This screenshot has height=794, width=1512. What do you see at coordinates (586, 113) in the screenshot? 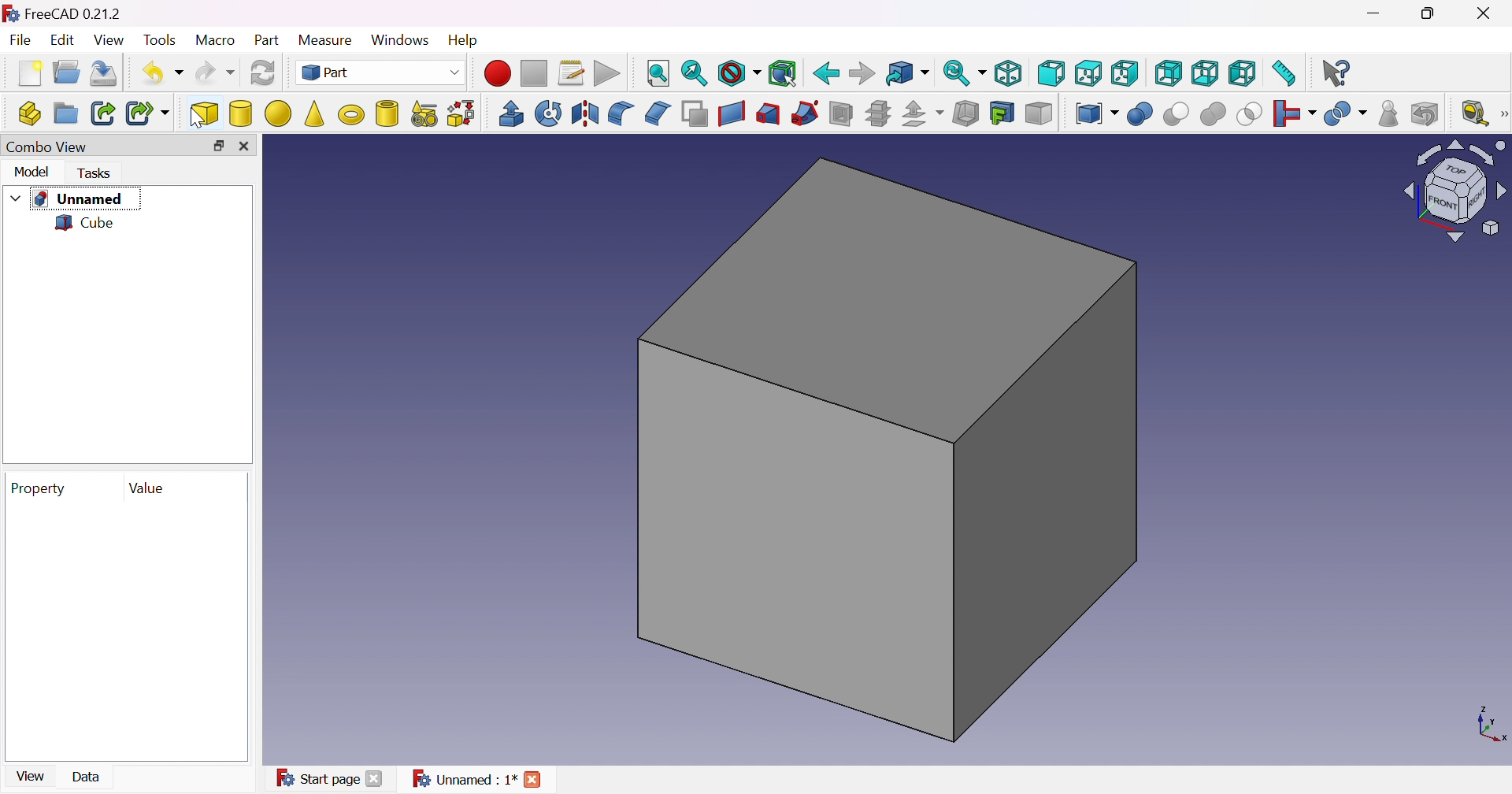
I see `Mirroring` at bounding box center [586, 113].